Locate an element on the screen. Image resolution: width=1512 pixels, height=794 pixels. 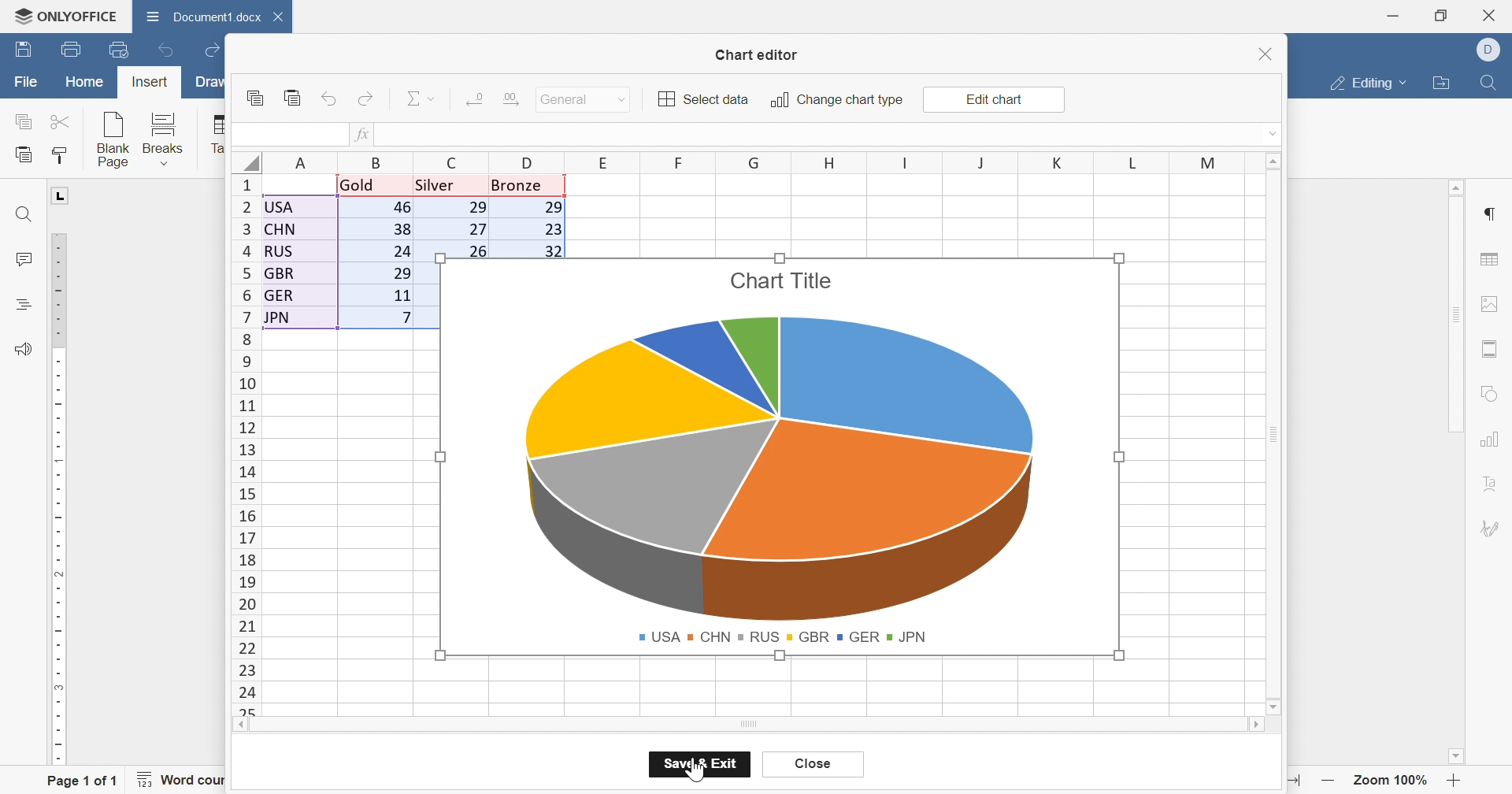
Ruler is located at coordinates (61, 499).